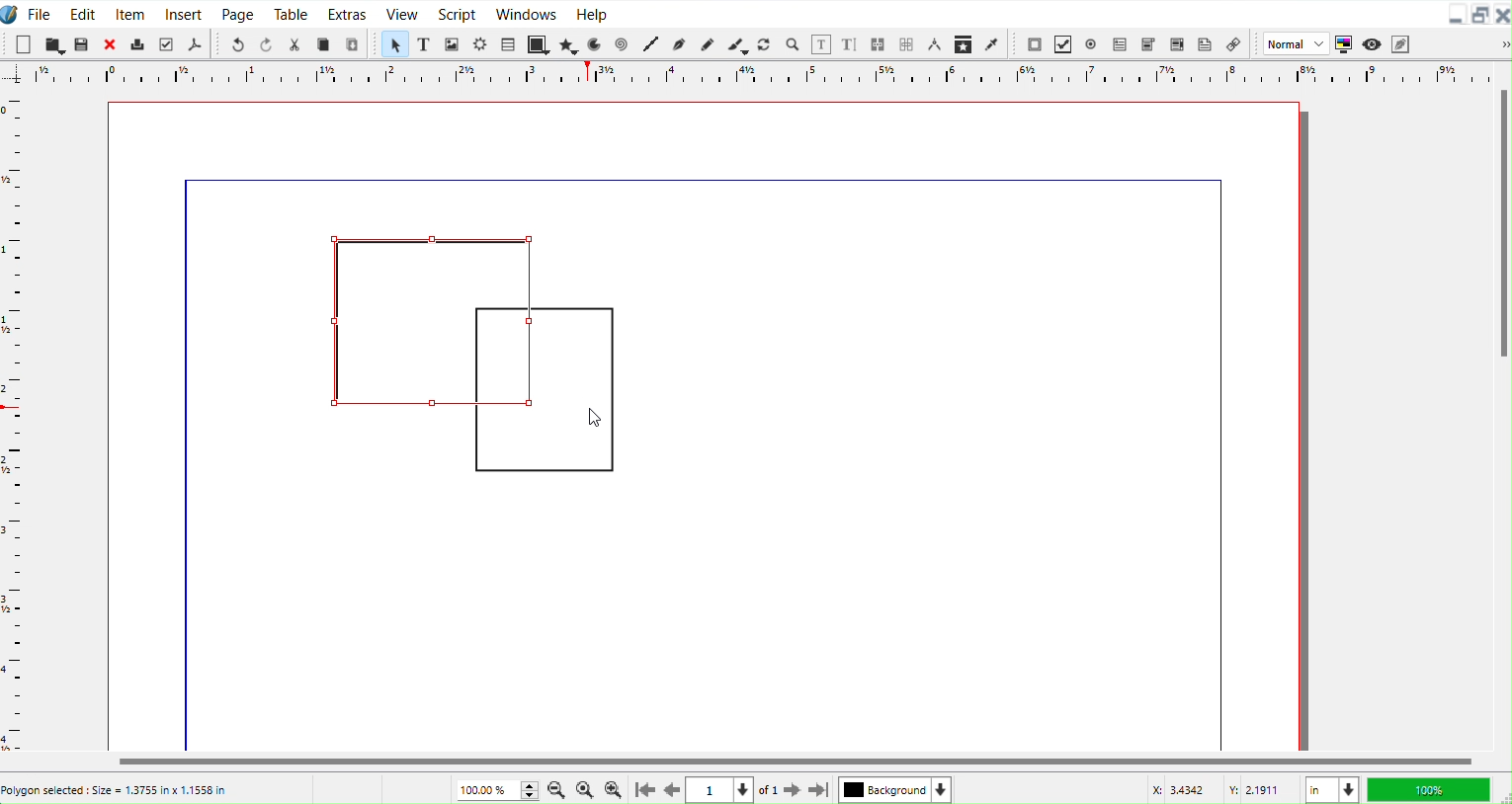 The image size is (1512, 804). Describe the element at coordinates (557, 789) in the screenshot. I see `Zoom Out` at that location.